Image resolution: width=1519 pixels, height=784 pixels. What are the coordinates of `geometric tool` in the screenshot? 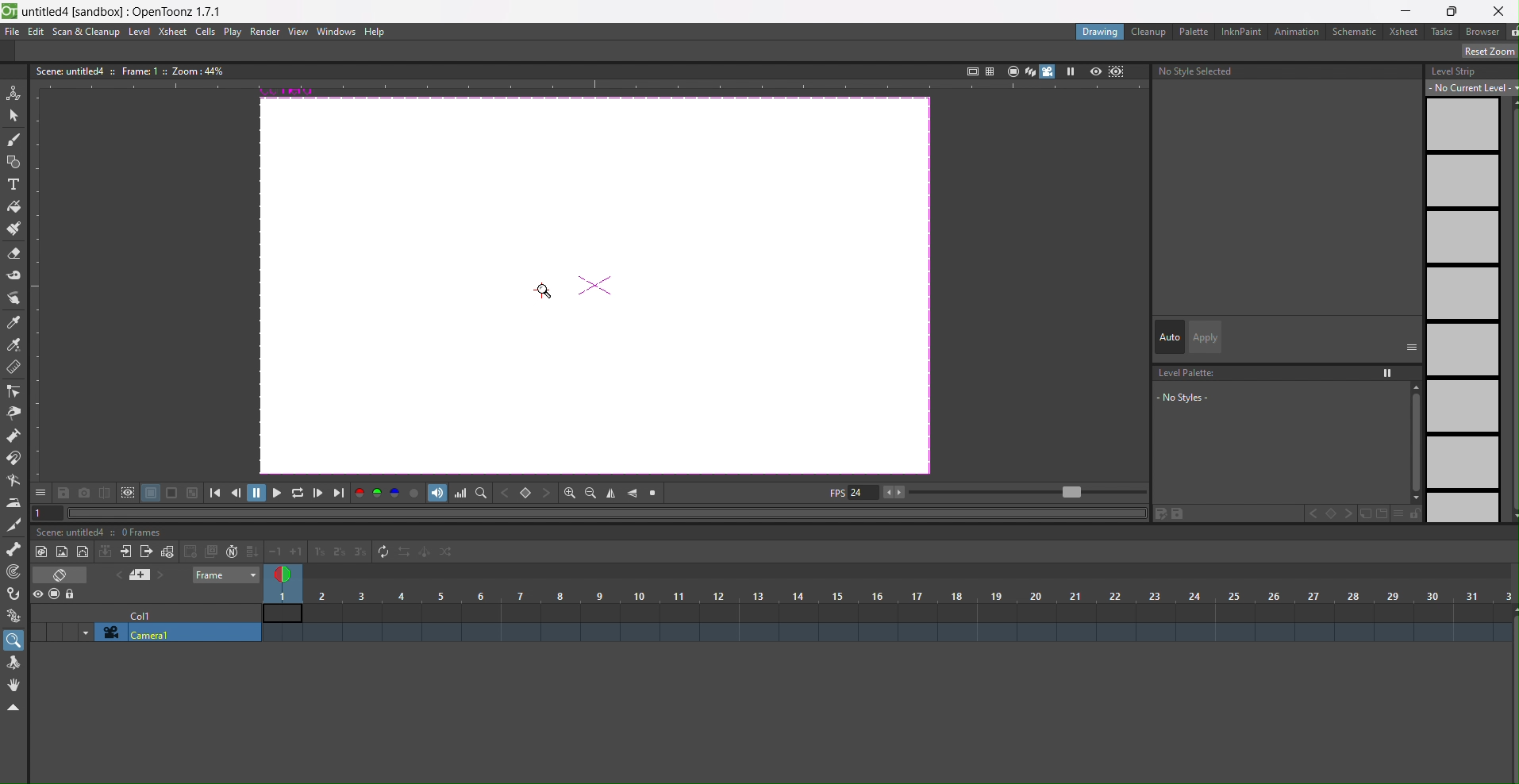 It's located at (14, 162).